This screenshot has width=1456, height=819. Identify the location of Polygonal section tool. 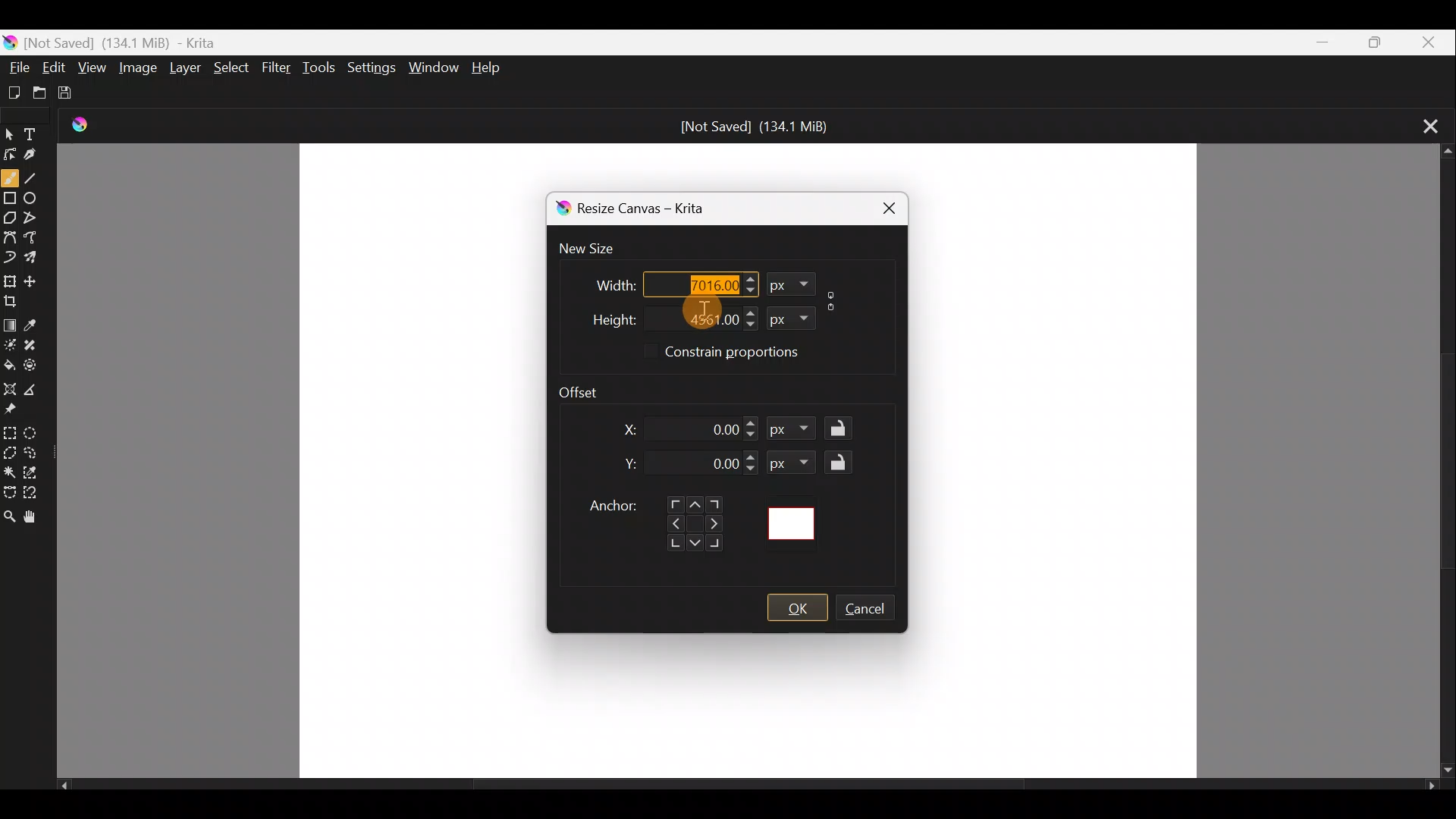
(11, 454).